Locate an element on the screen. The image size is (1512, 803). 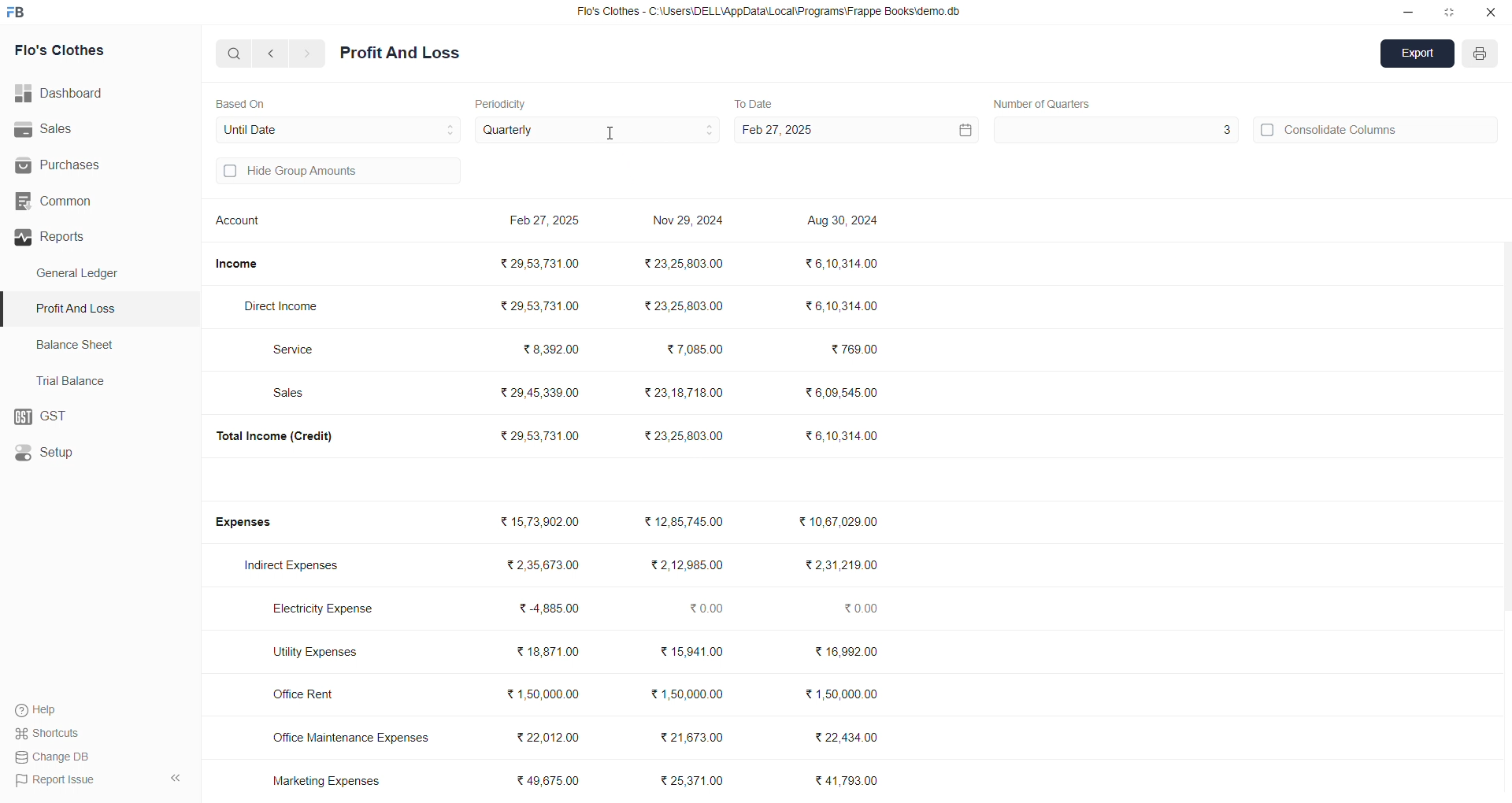
₹36,10,314.00 is located at coordinates (842, 435).